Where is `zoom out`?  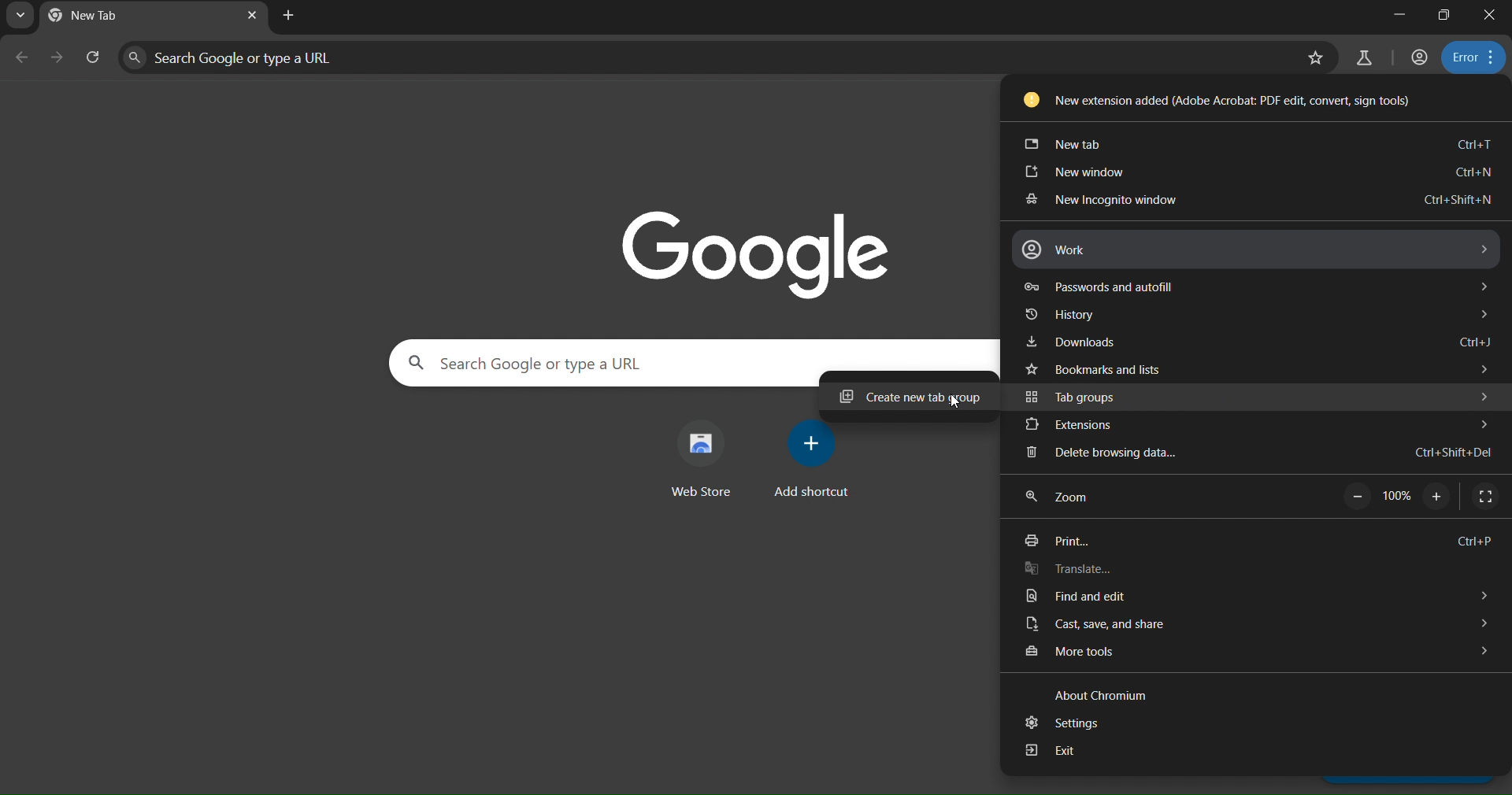 zoom out is located at coordinates (1357, 497).